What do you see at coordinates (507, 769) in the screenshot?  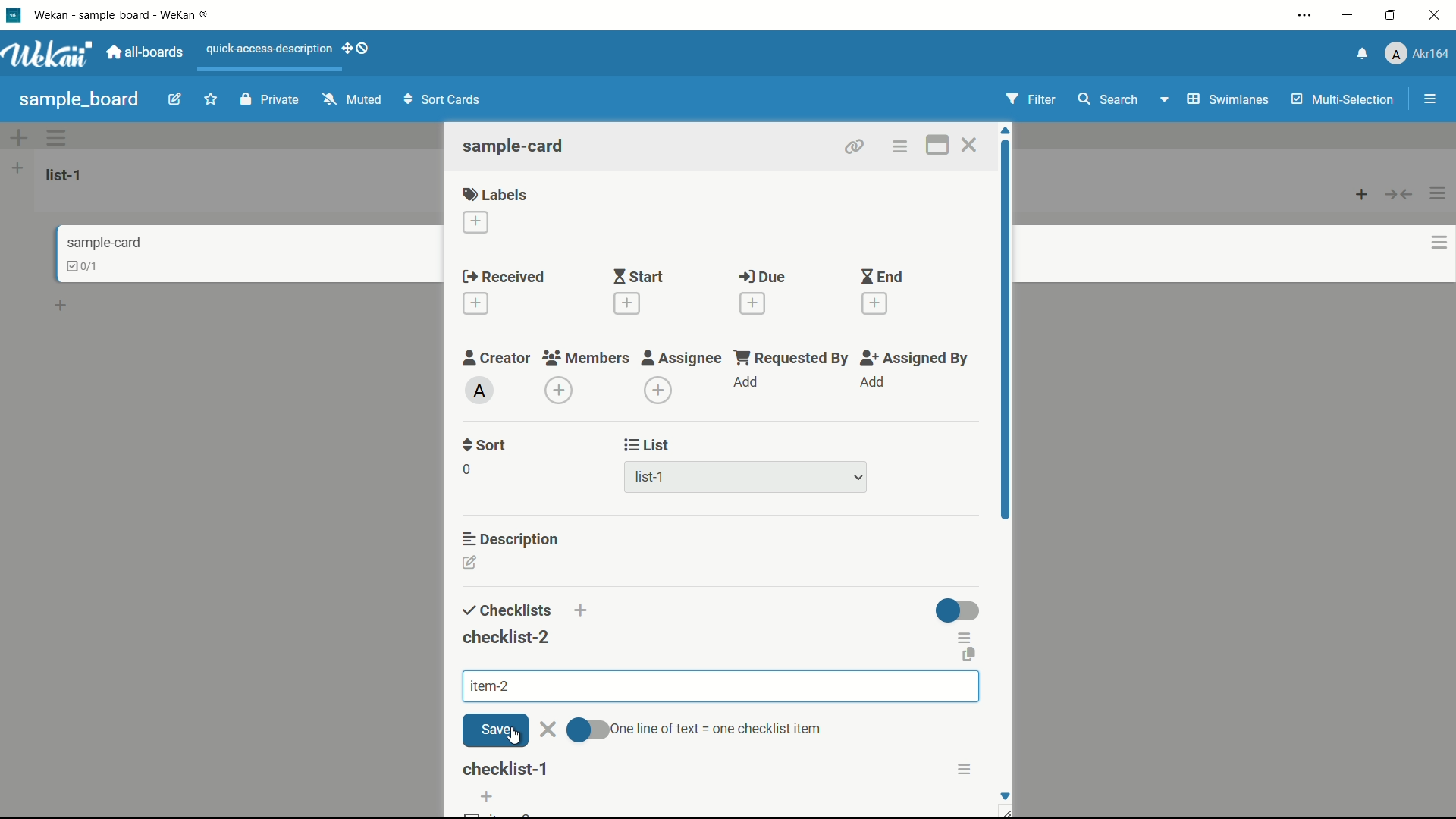 I see `checlist-1` at bounding box center [507, 769].